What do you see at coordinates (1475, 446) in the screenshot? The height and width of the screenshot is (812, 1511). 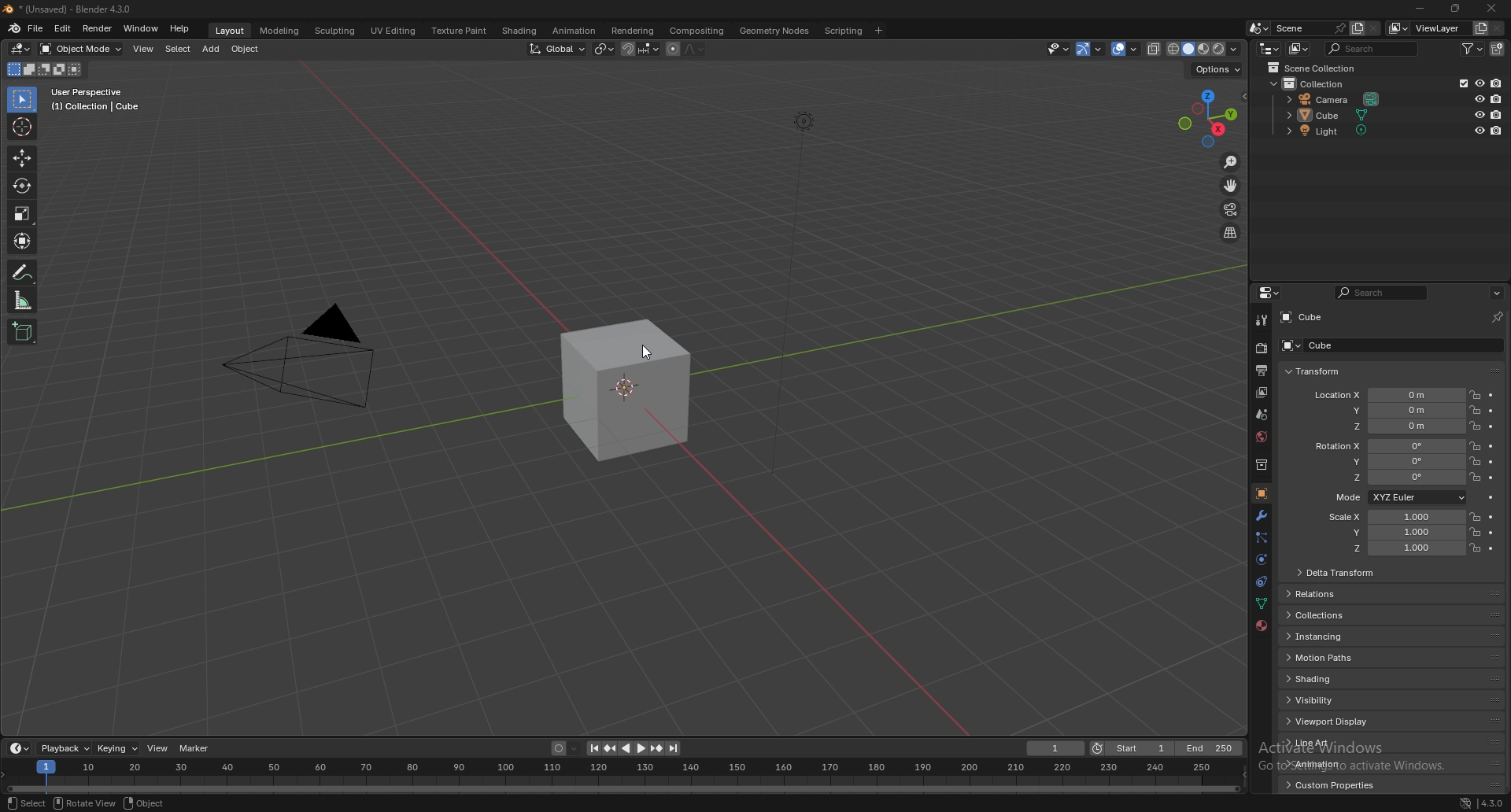 I see `lock` at bounding box center [1475, 446].